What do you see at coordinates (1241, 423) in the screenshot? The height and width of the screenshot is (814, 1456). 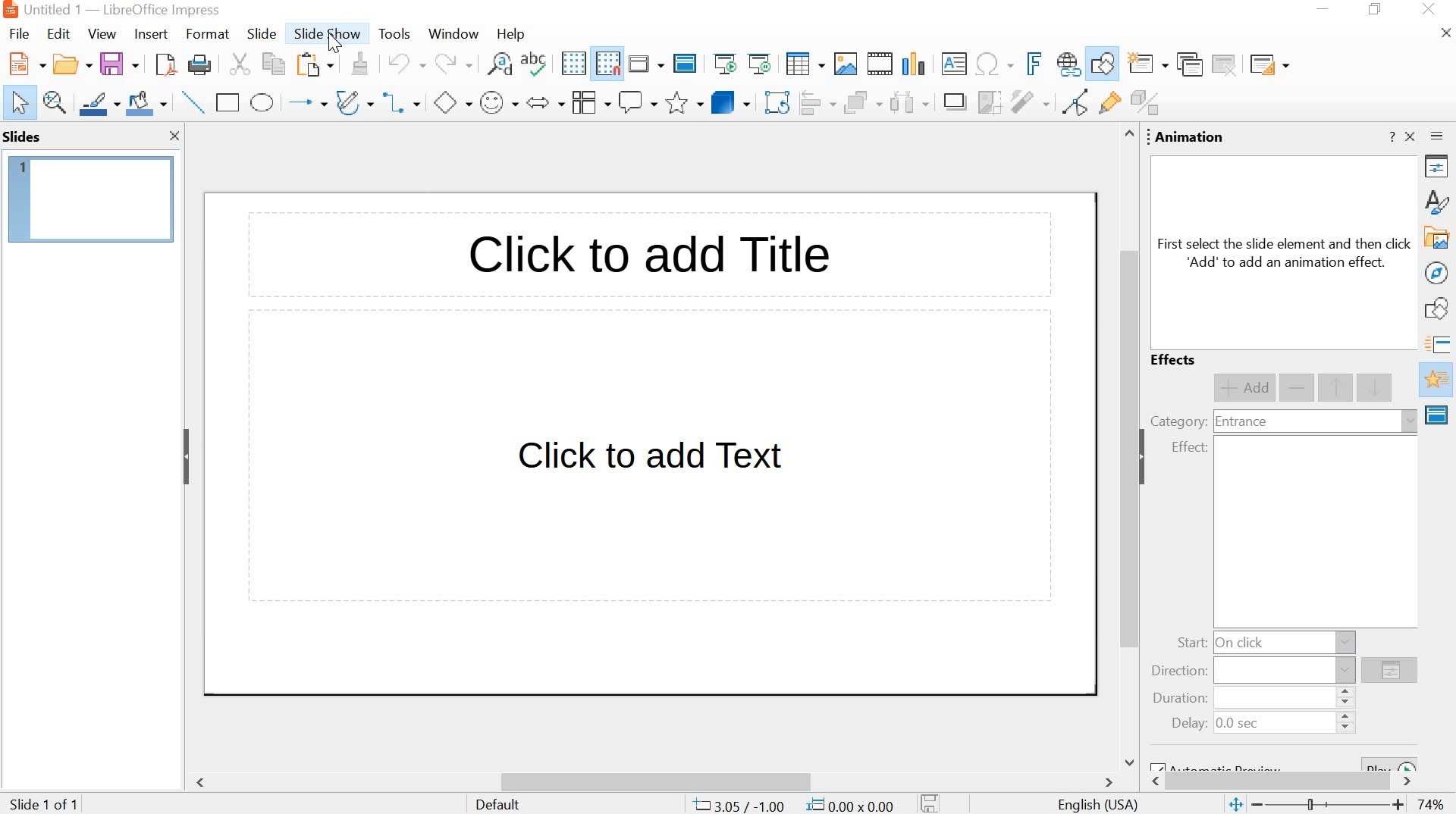 I see `entrance` at bounding box center [1241, 423].